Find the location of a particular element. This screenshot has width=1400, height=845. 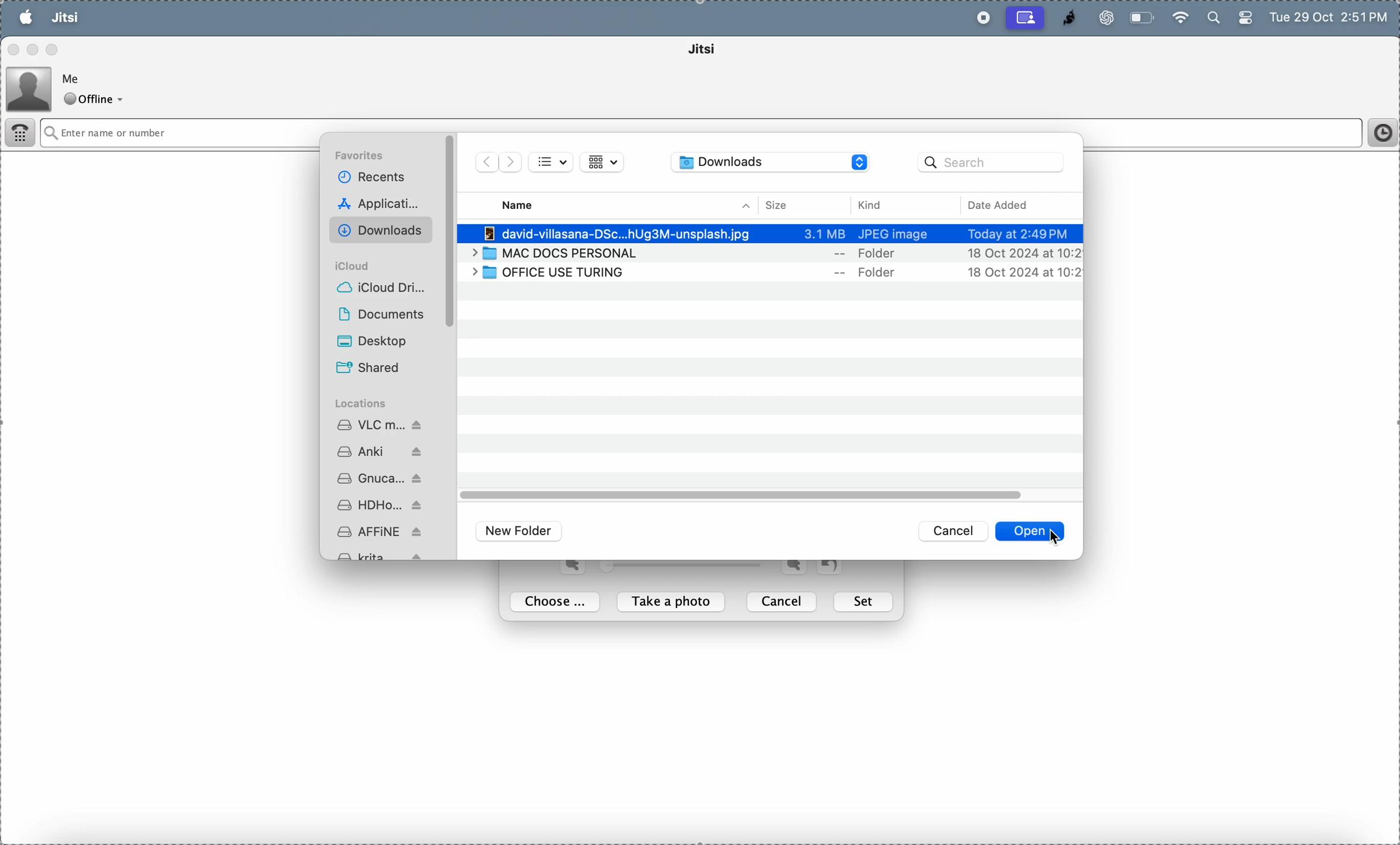

i cloud is located at coordinates (359, 265).